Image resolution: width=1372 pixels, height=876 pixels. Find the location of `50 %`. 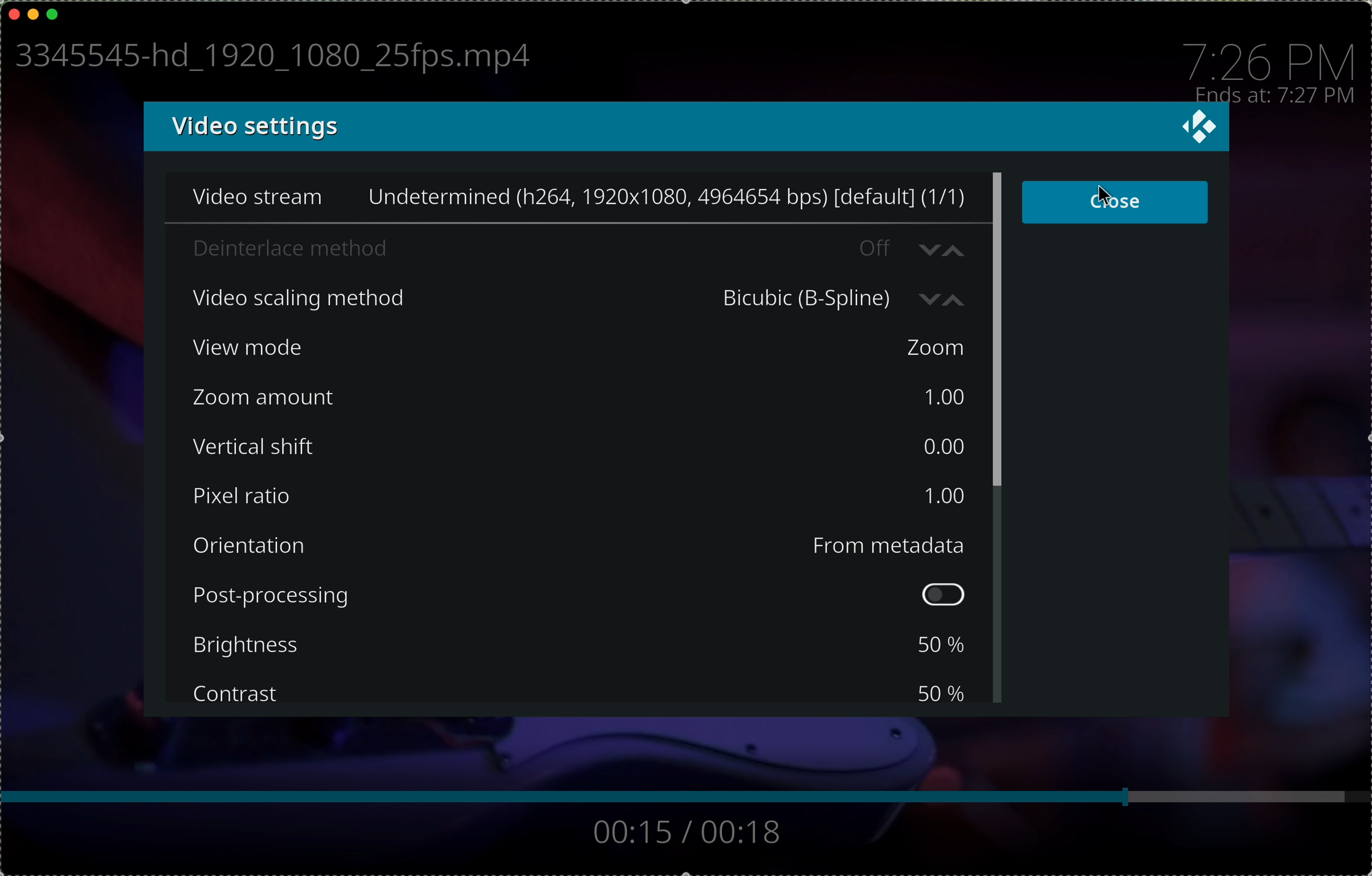

50 % is located at coordinates (946, 645).